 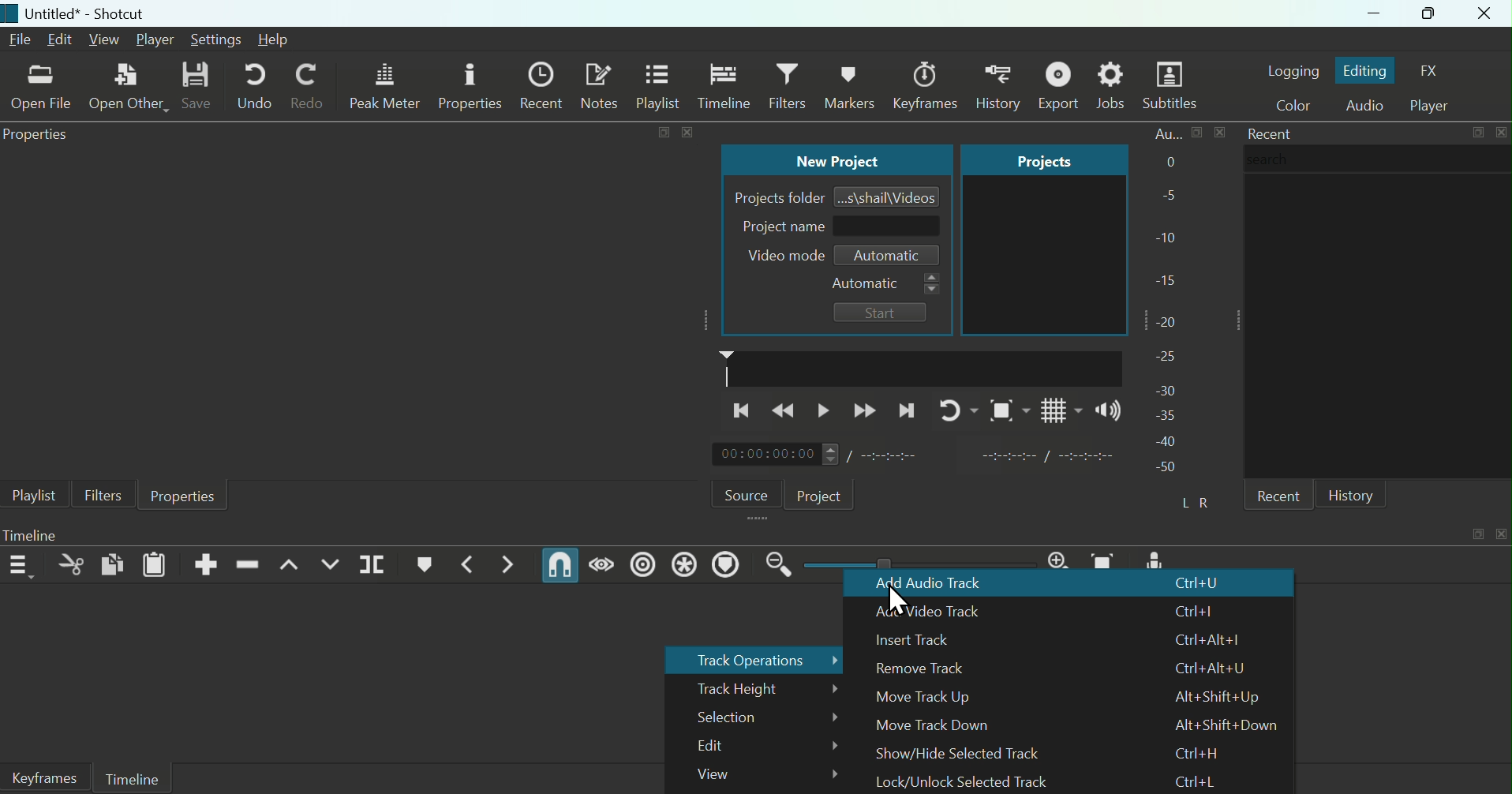 What do you see at coordinates (888, 255) in the screenshot?
I see `Automatic` at bounding box center [888, 255].